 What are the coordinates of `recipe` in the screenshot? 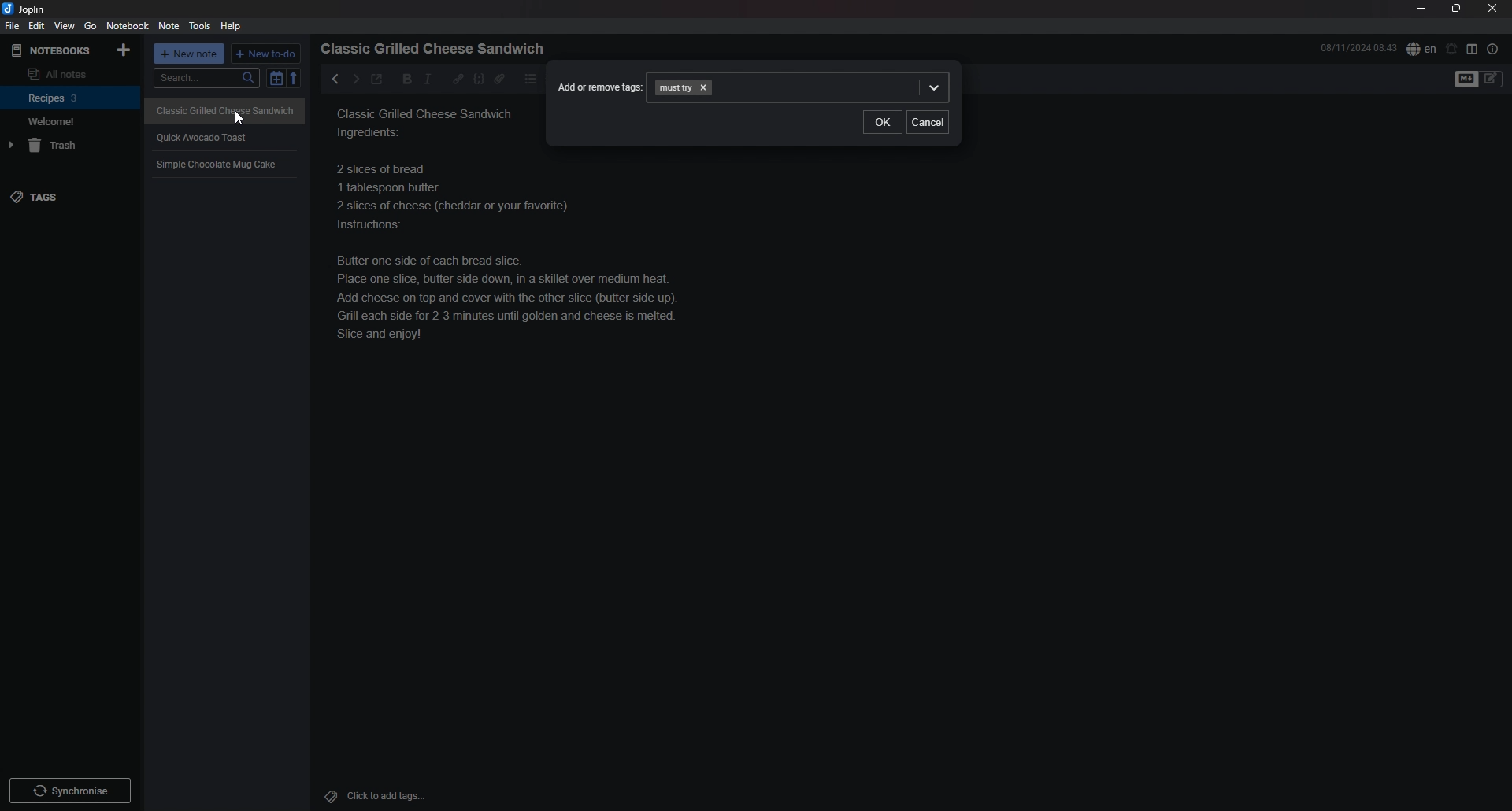 It's located at (216, 165).